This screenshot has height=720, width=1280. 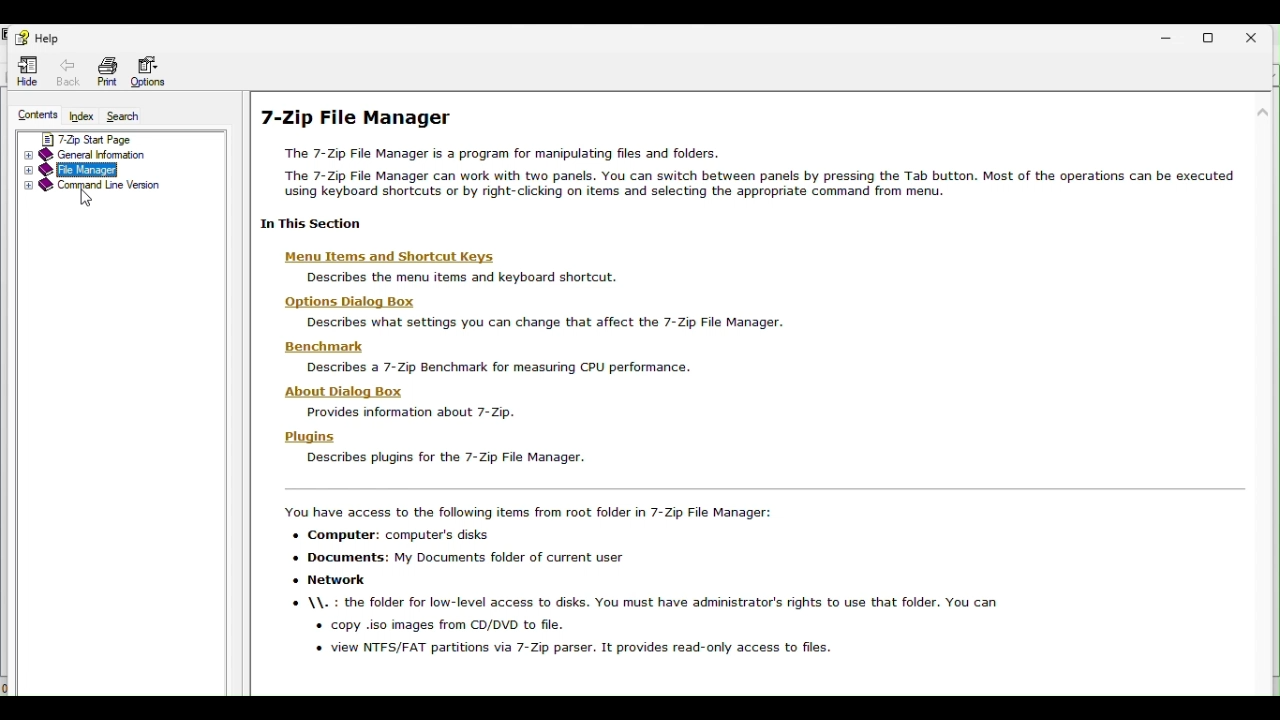 I want to click on Options Dialog Box, so click(x=349, y=301).